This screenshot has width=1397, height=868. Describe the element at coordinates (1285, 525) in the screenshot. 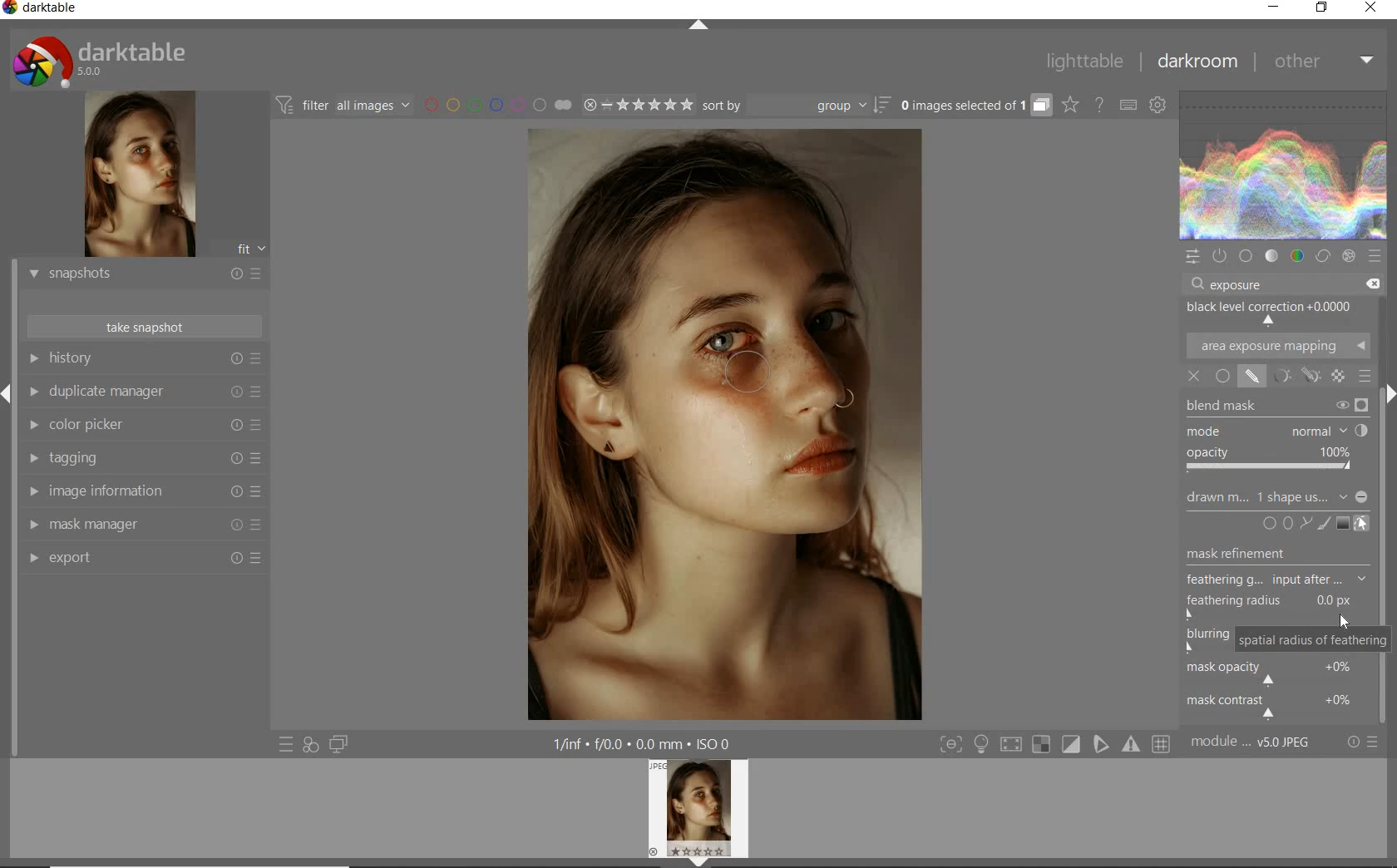

I see `ADD CIRCLE, ELLIPSE, OR PATH` at that location.